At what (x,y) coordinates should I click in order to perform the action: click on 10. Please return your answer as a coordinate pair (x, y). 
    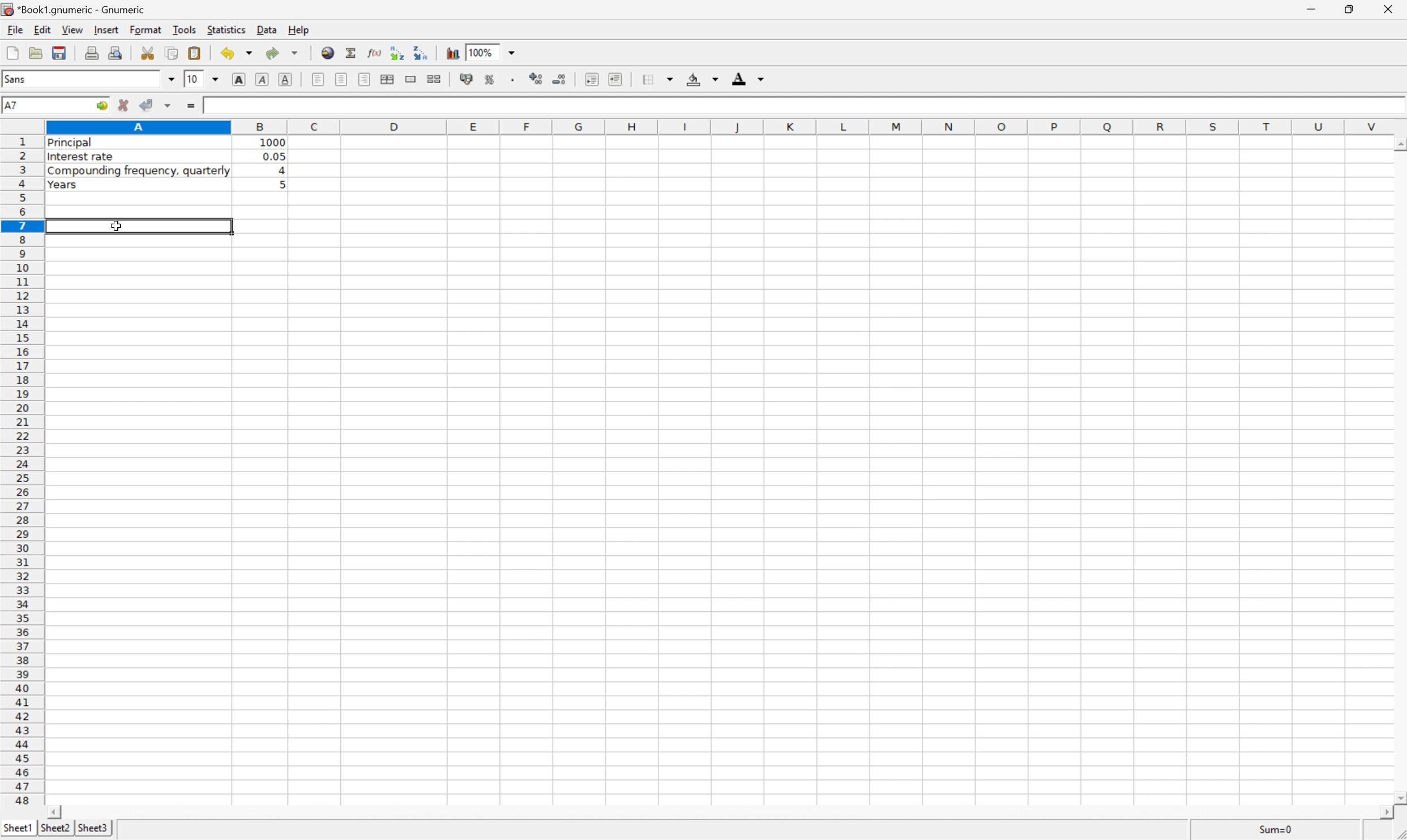
    Looking at the image, I should click on (194, 80).